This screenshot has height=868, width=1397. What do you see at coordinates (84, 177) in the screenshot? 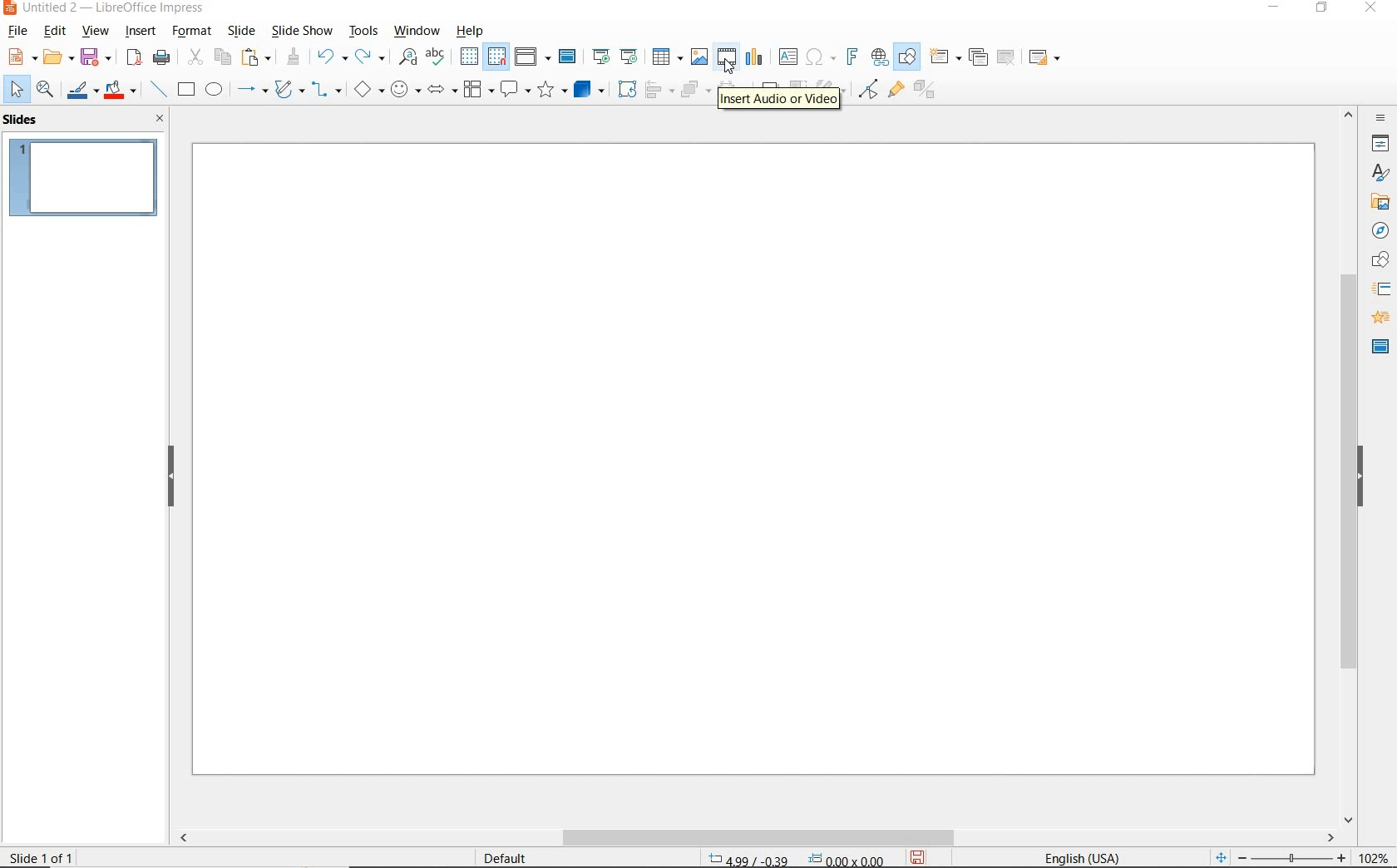
I see `SLIDE1` at bounding box center [84, 177].